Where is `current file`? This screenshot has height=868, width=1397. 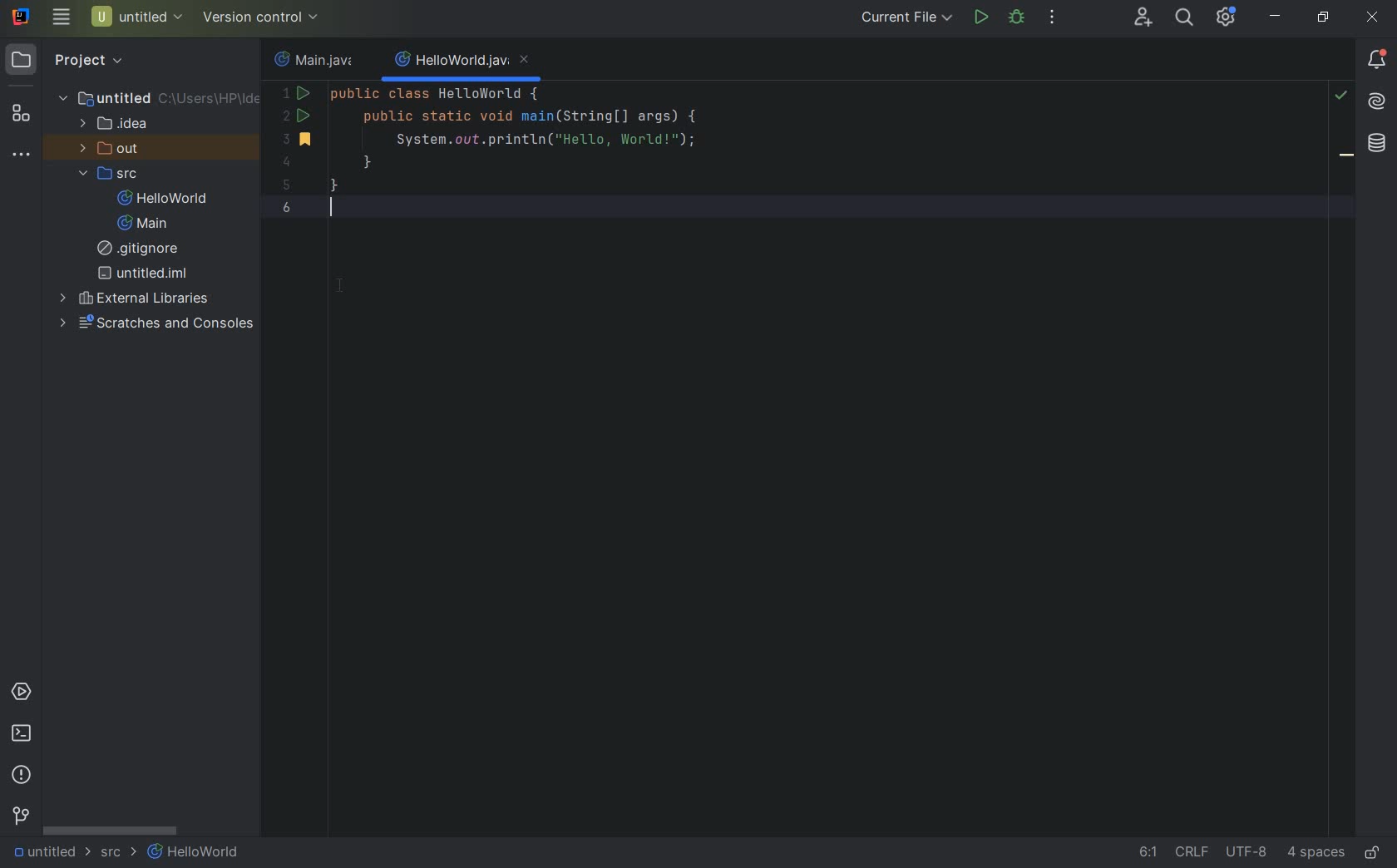 current file is located at coordinates (909, 18).